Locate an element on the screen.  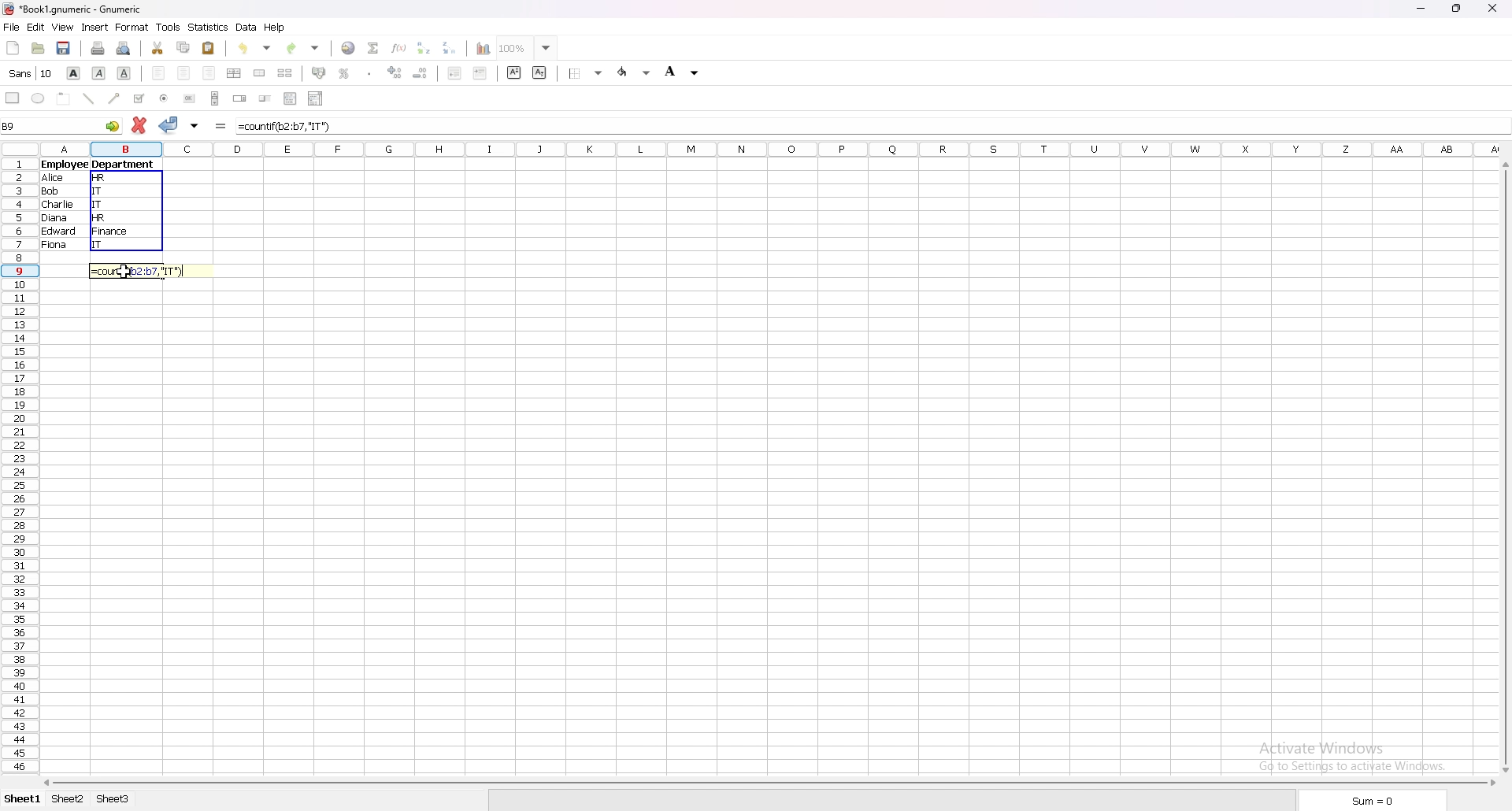
copy is located at coordinates (183, 47).